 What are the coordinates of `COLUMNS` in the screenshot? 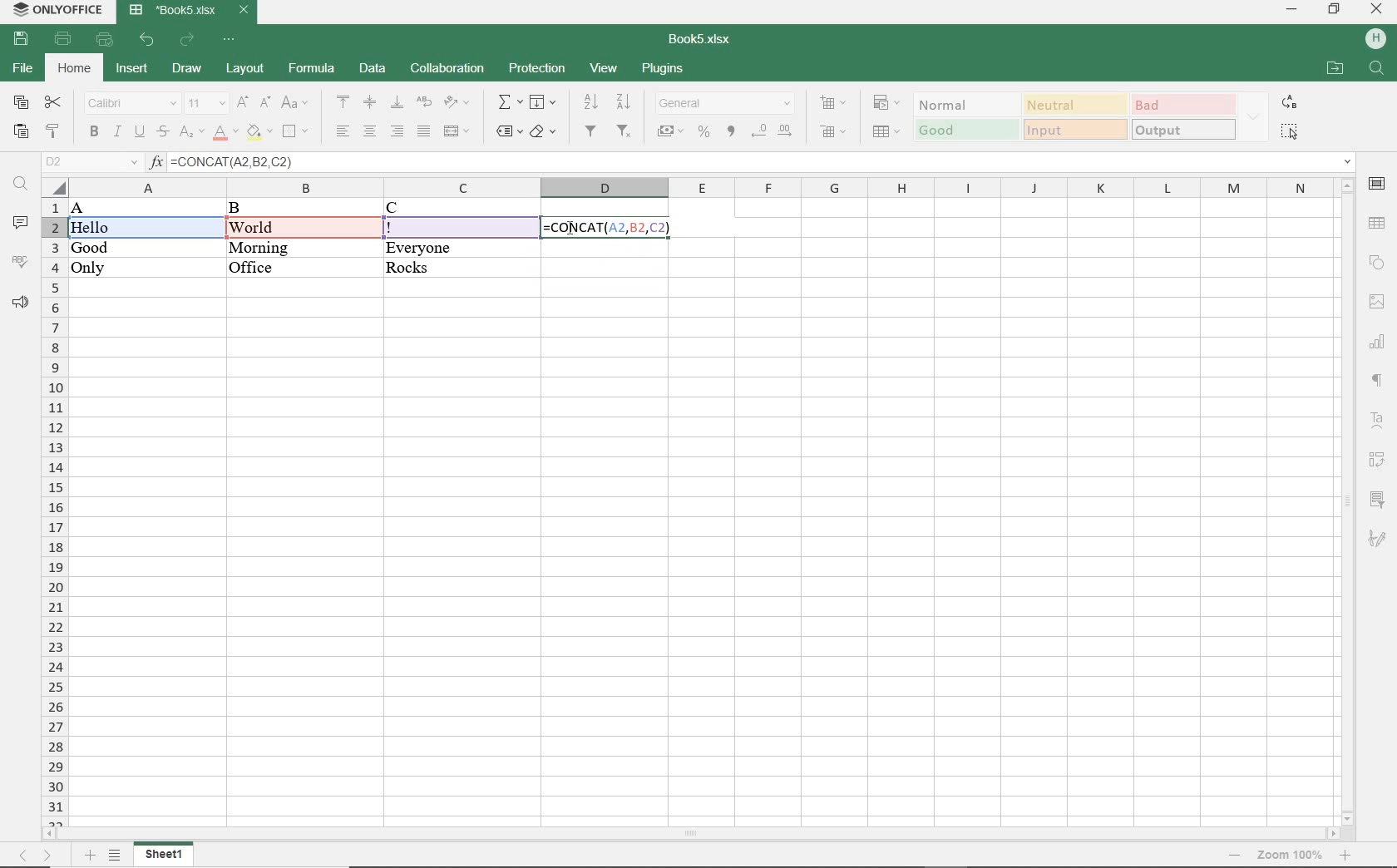 It's located at (700, 187).